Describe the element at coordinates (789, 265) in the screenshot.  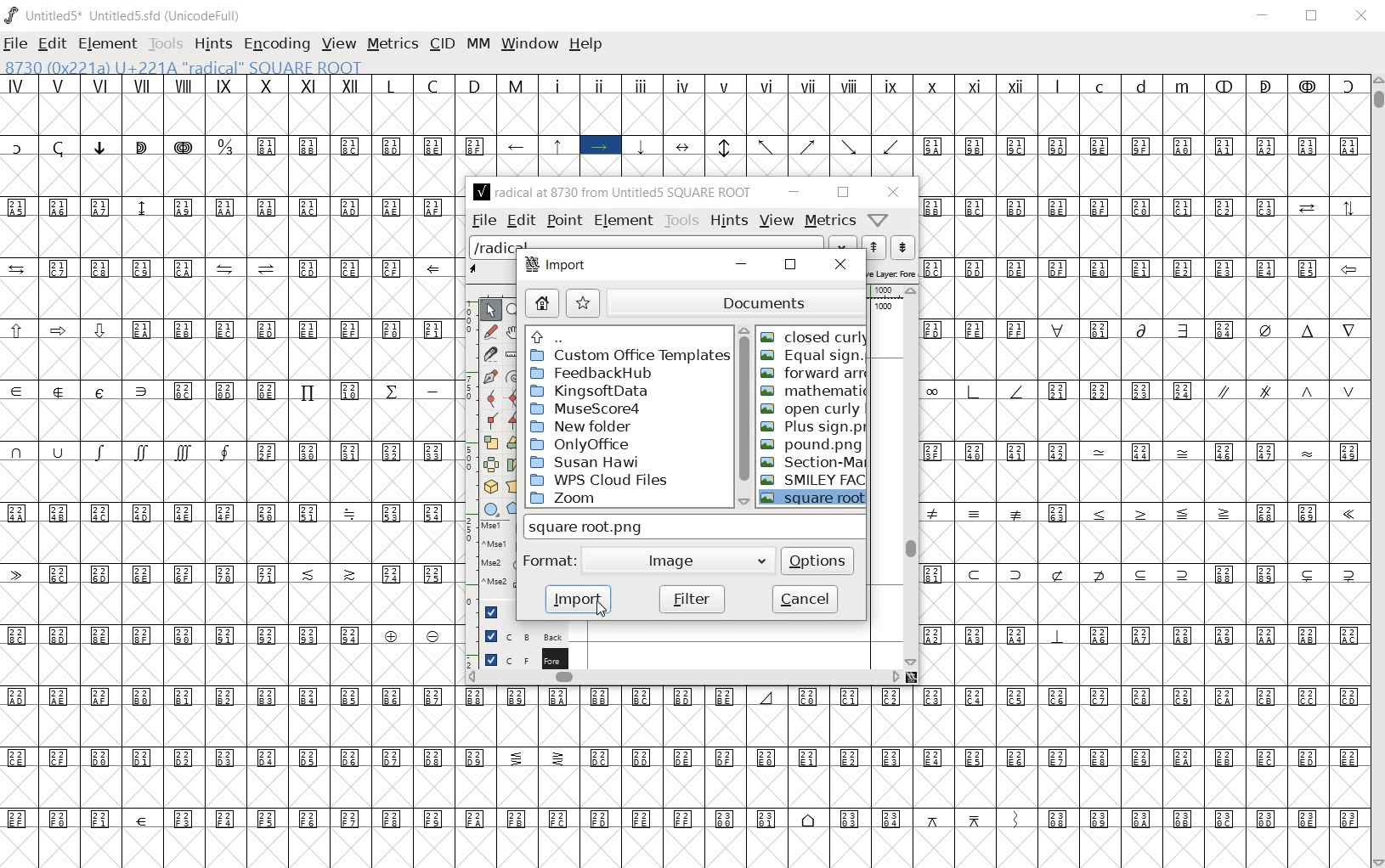
I see `restore` at that location.